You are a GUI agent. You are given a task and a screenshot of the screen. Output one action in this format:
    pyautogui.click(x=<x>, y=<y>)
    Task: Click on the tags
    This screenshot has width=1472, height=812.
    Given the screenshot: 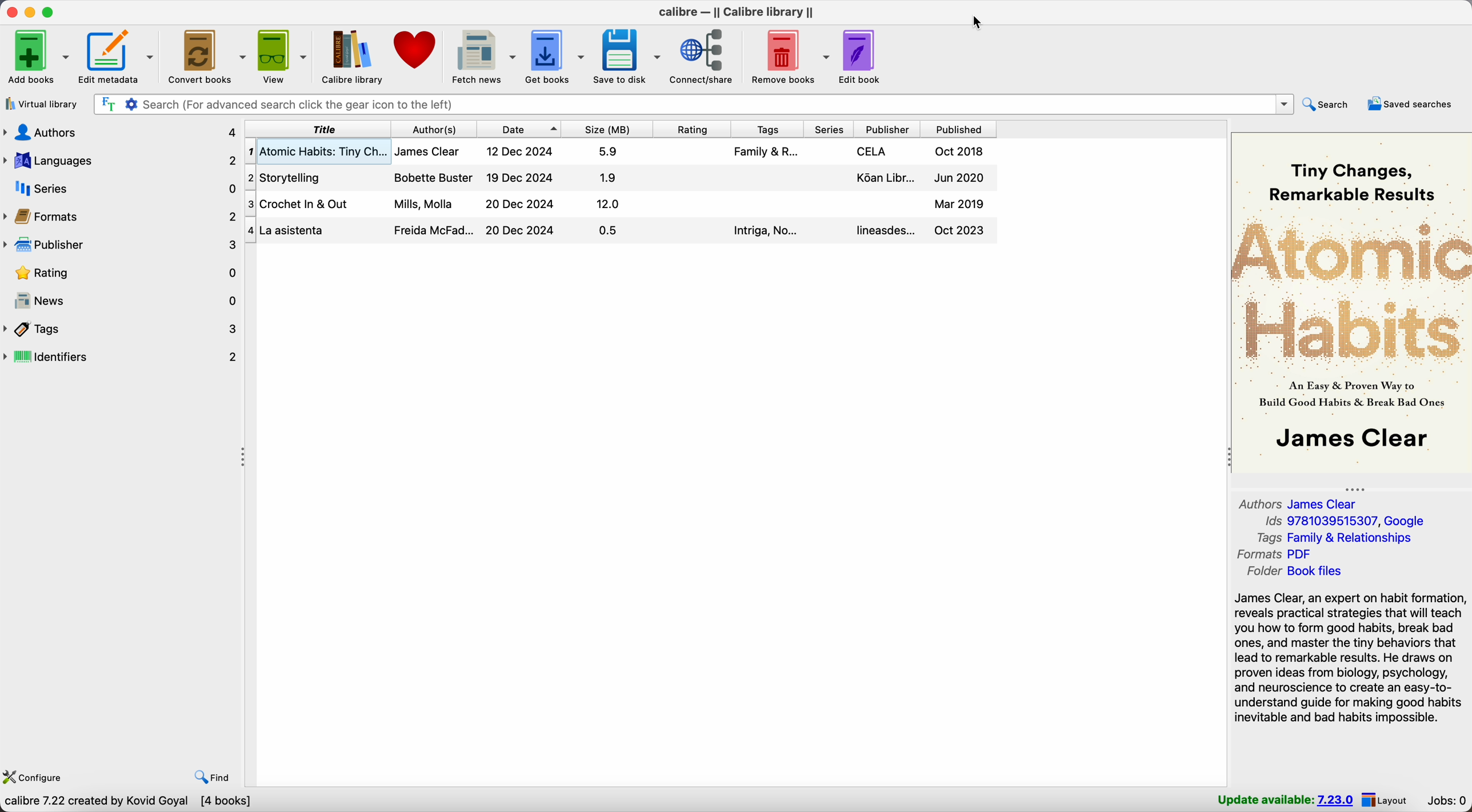 What is the action you would take?
    pyautogui.click(x=766, y=129)
    